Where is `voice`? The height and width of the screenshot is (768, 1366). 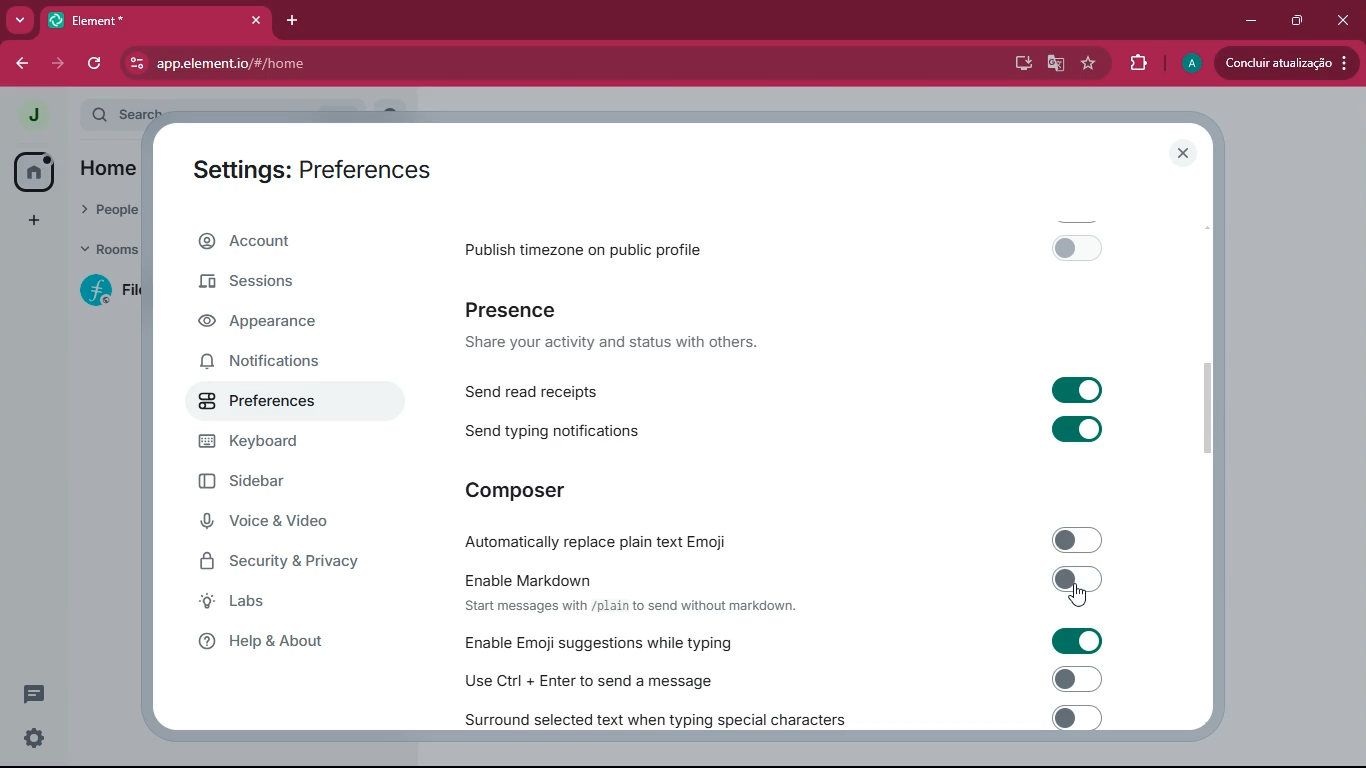 voice is located at coordinates (276, 523).